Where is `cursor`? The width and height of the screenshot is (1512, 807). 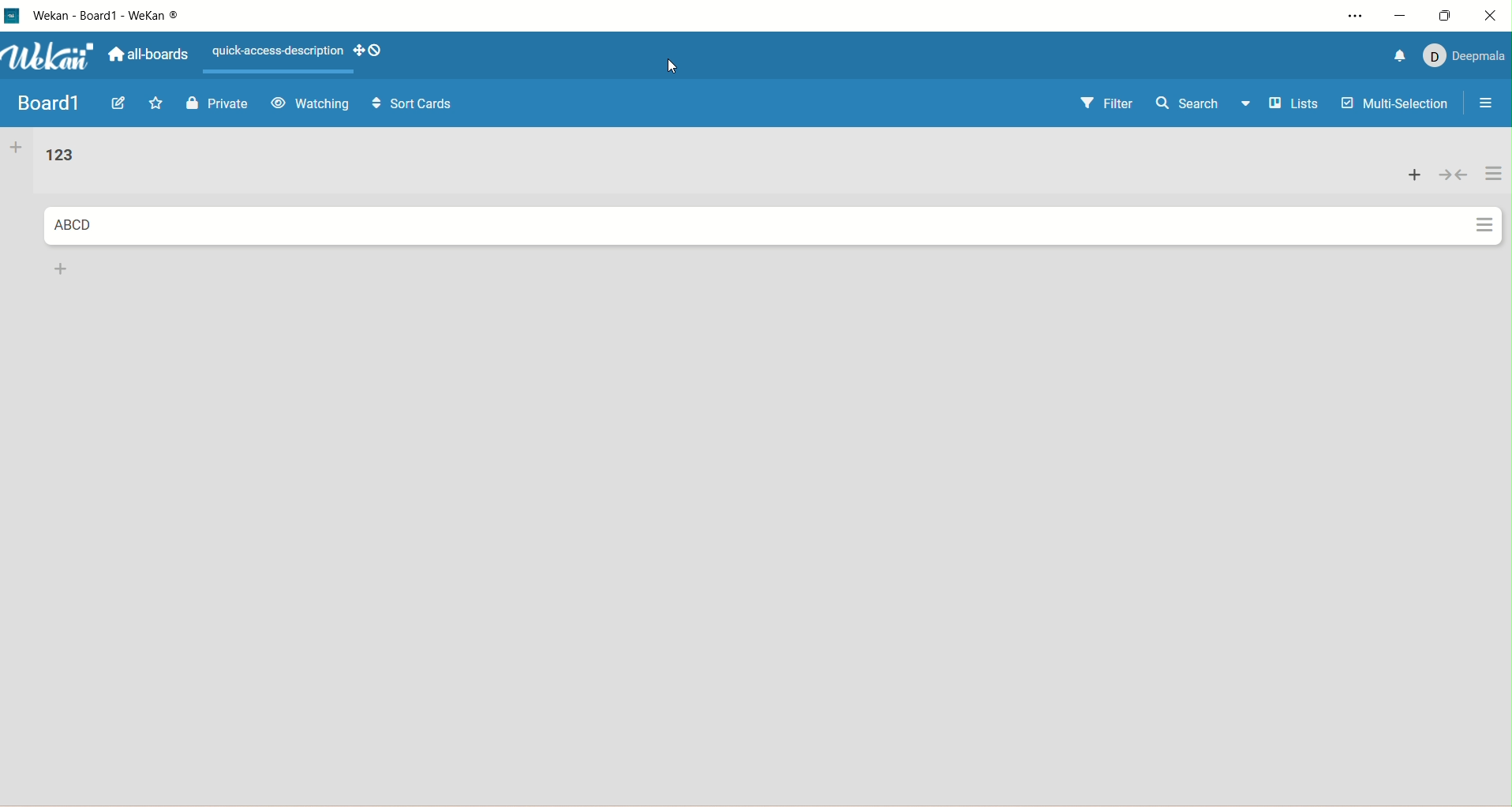 cursor is located at coordinates (672, 66).